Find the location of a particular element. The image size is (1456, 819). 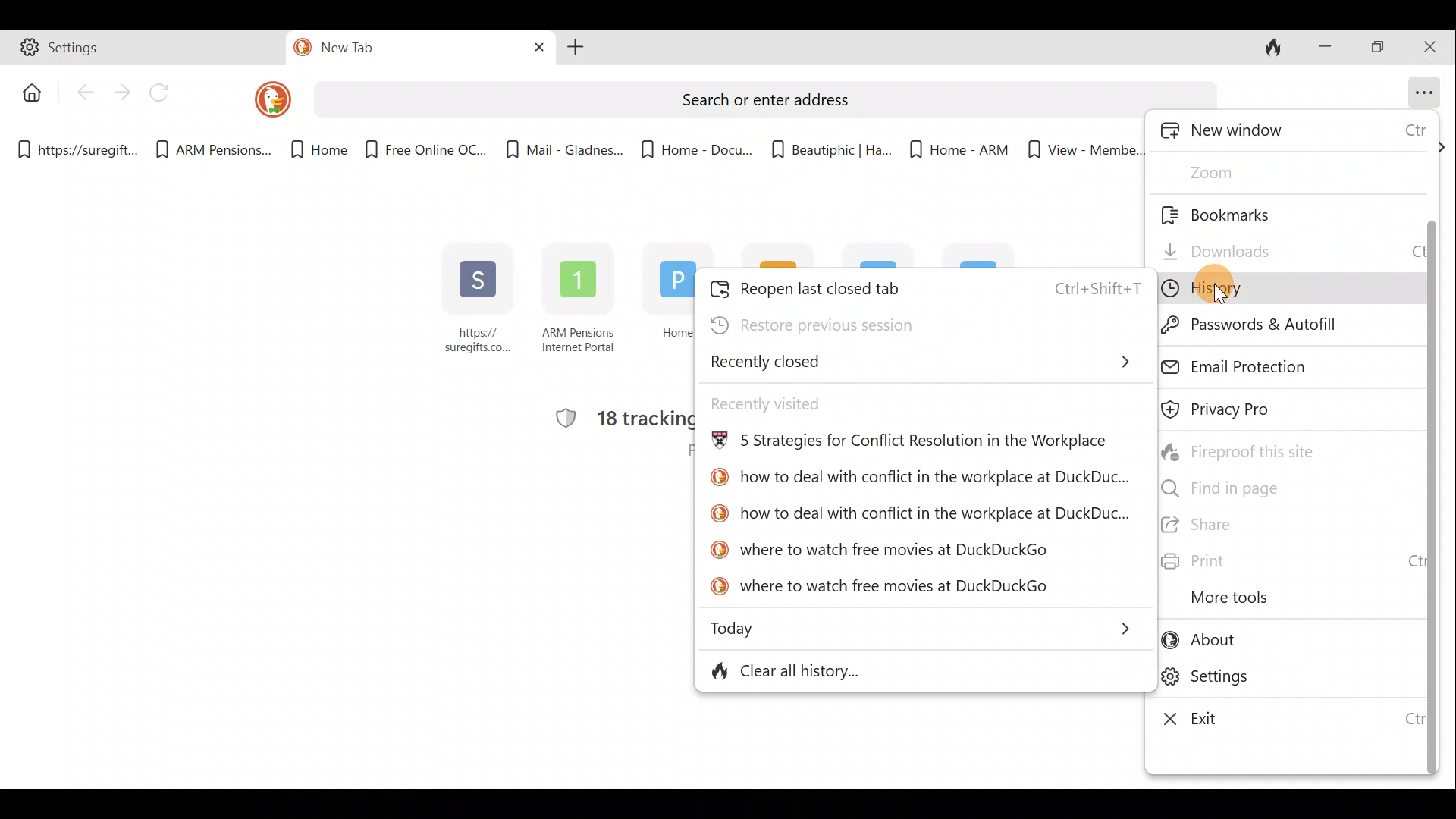

Clear all history is located at coordinates (855, 670).